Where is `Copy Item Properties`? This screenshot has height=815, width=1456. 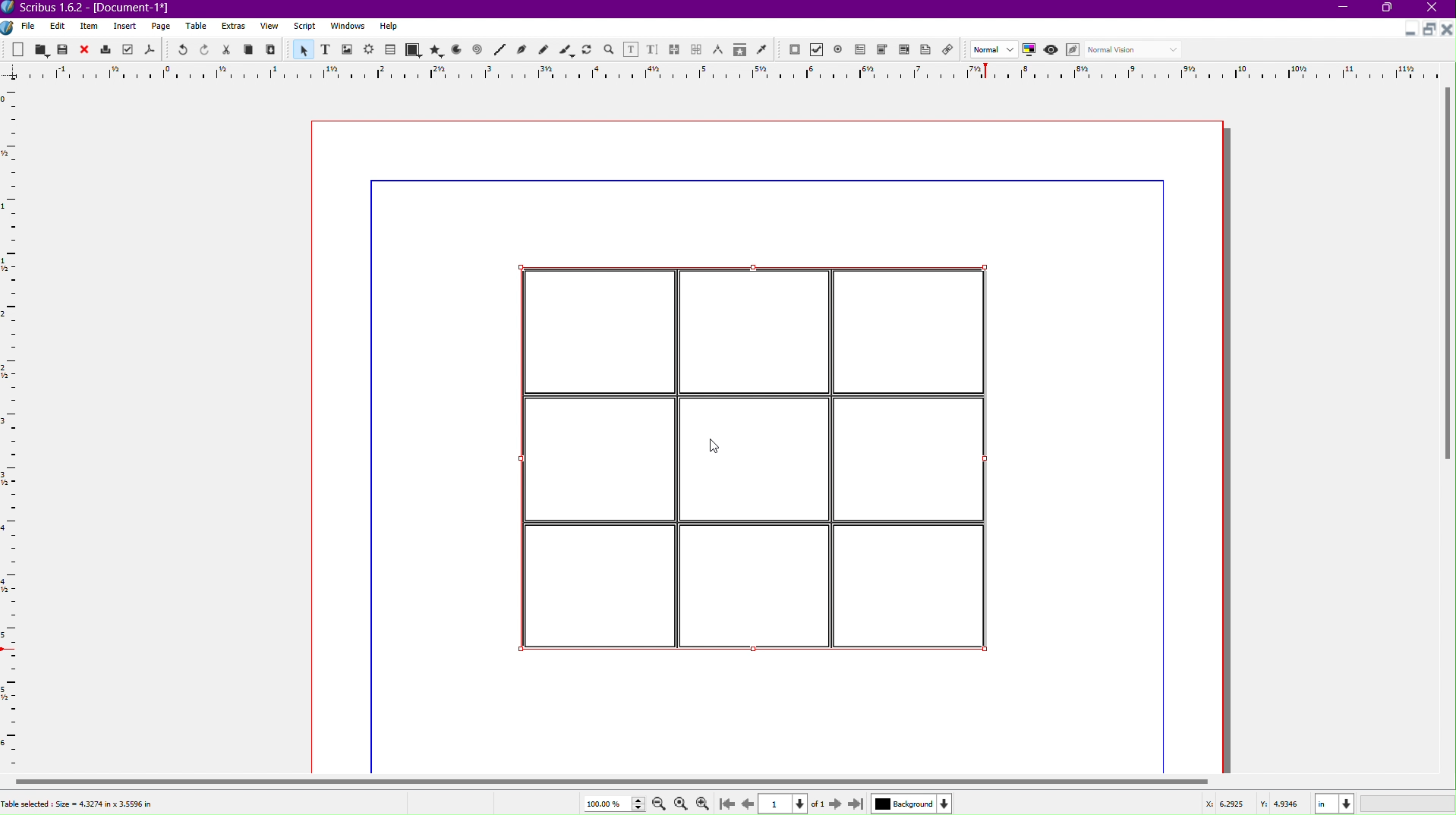 Copy Item Properties is located at coordinates (739, 50).